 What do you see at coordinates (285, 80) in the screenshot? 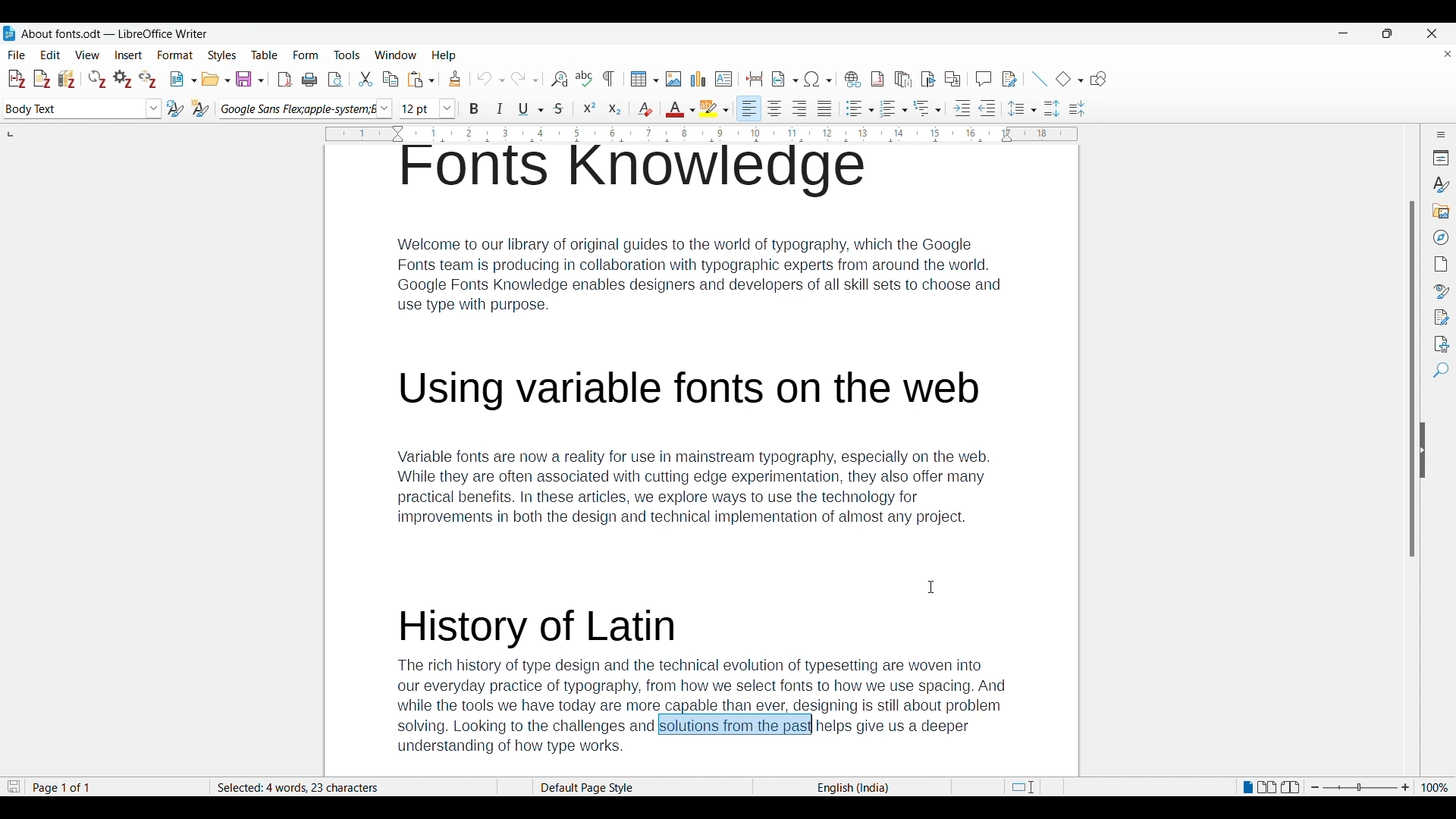
I see `Export directly as PDF` at bounding box center [285, 80].